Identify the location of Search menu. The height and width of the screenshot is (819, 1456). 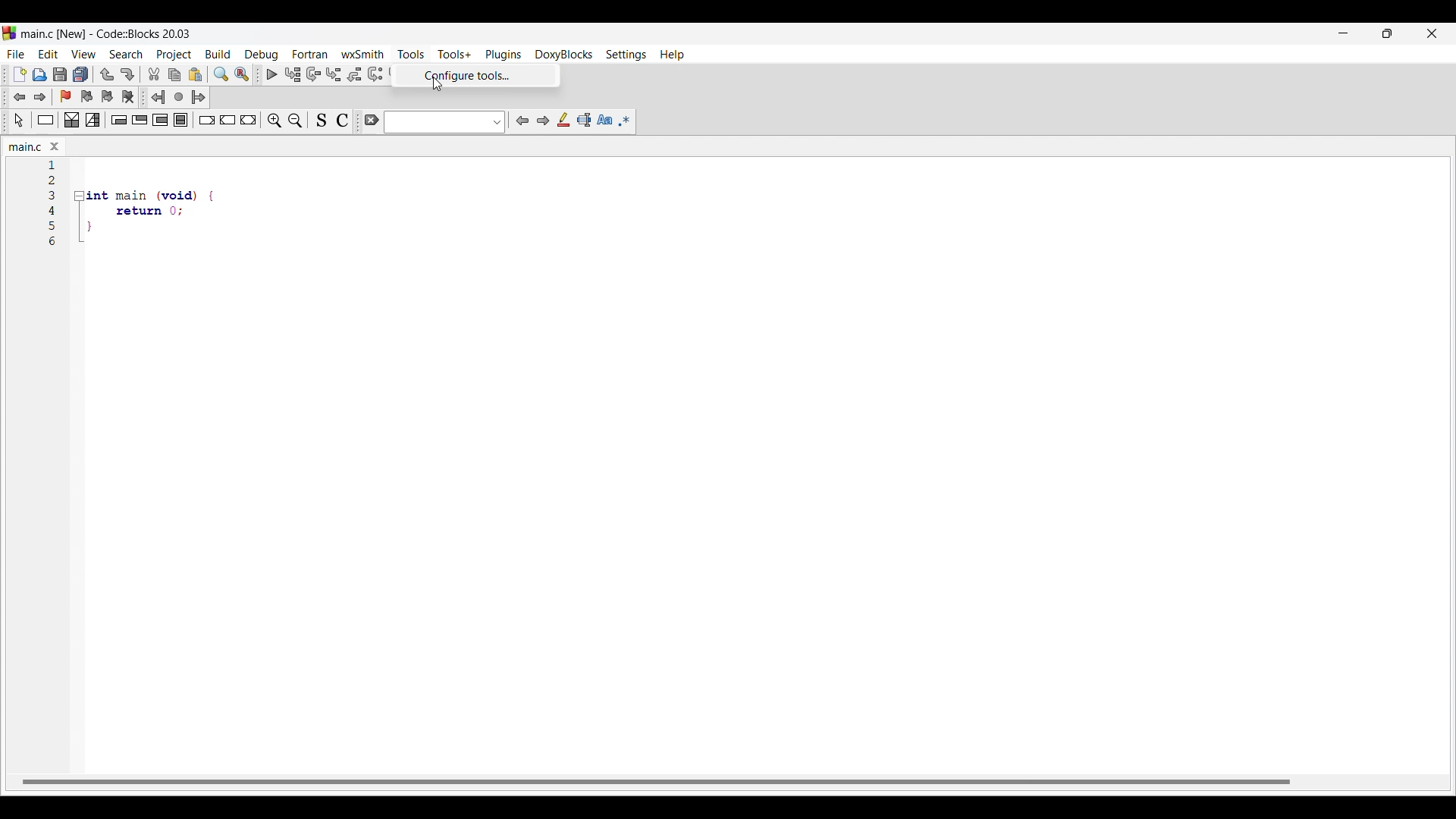
(126, 55).